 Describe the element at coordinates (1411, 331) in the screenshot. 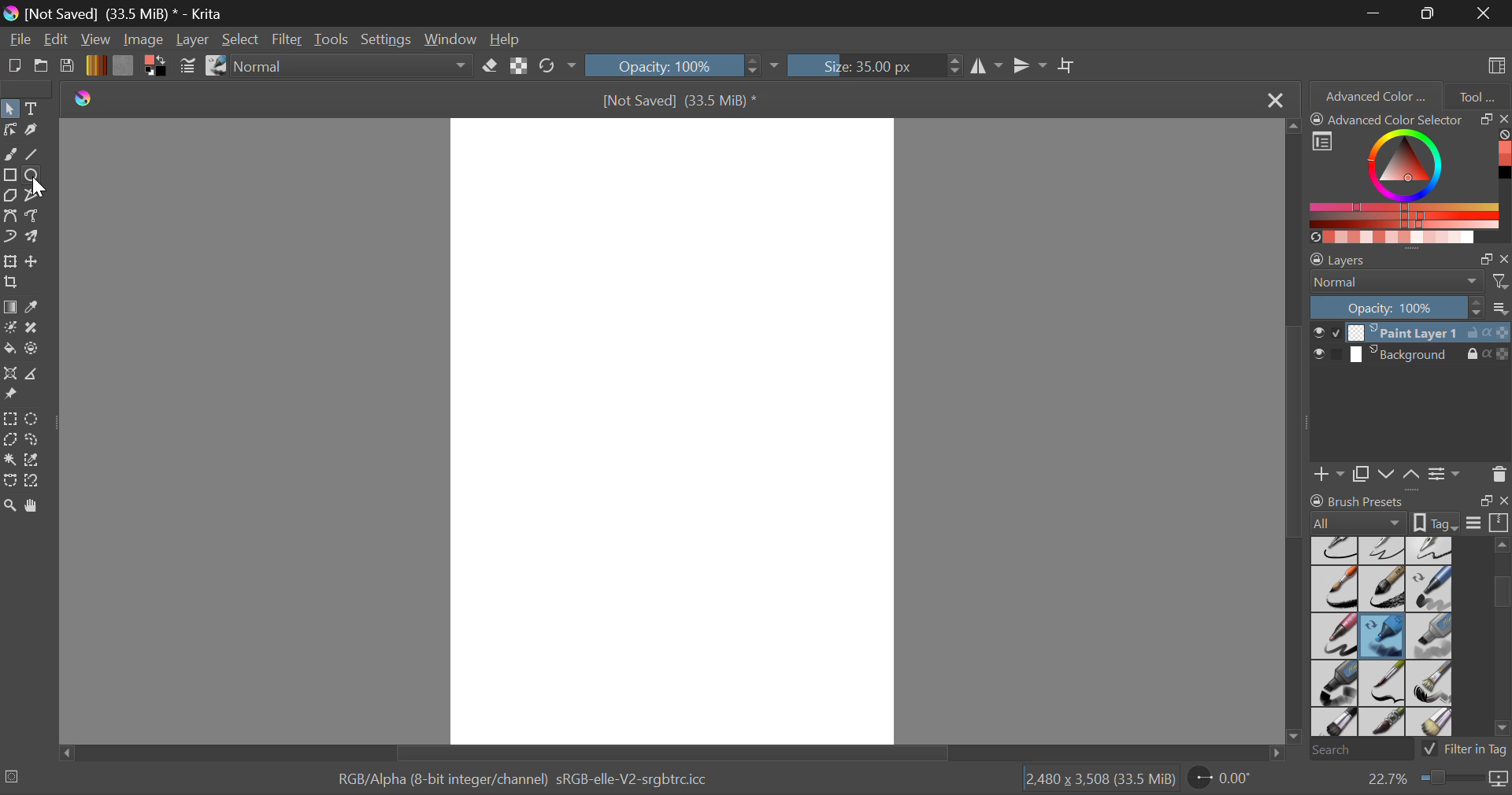

I see `Paint Layer 1` at that location.